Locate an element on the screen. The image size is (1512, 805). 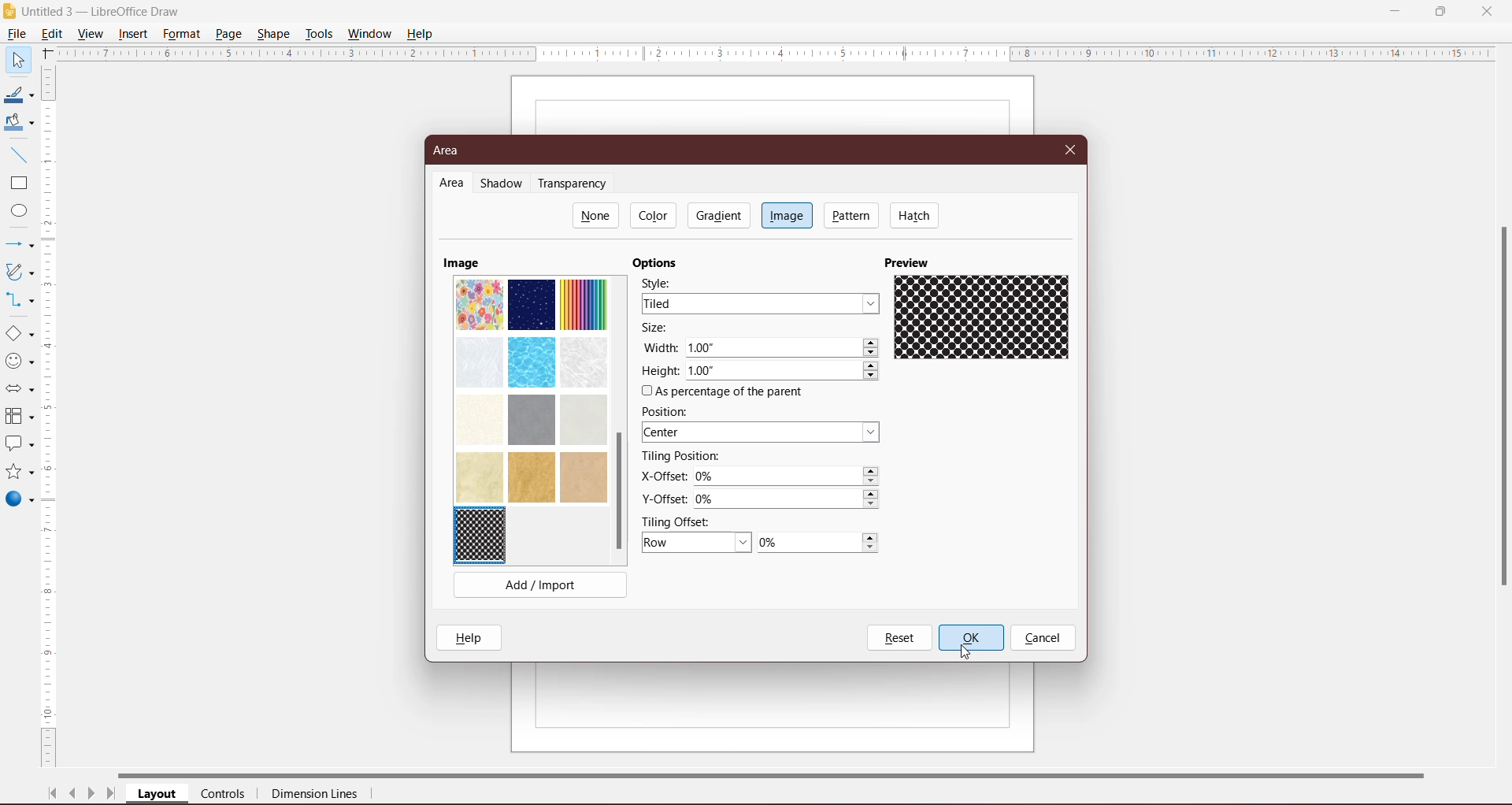
Scroll to last page is located at coordinates (112, 796).